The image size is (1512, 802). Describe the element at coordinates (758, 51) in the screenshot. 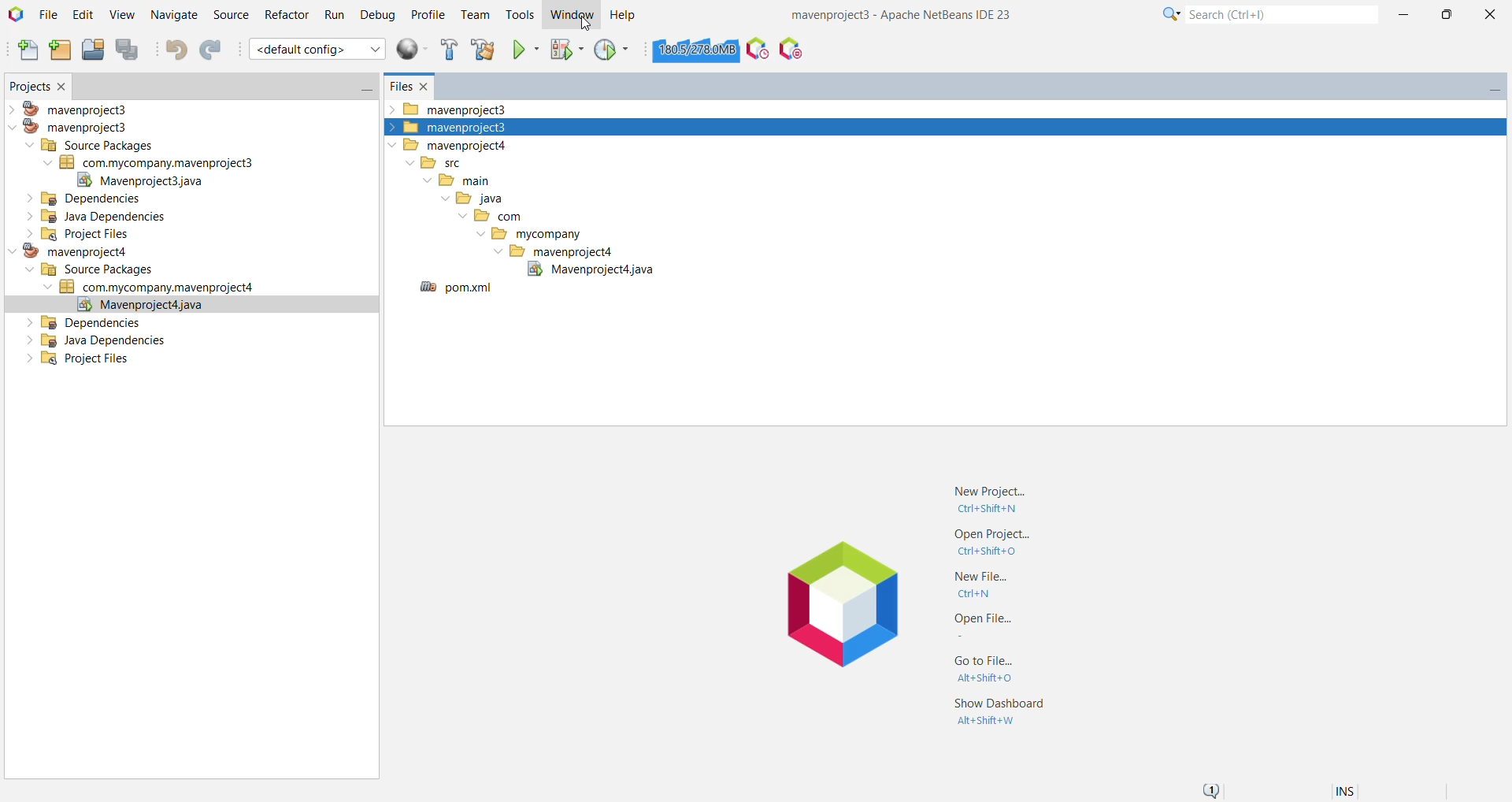

I see `Profile the IDE` at that location.